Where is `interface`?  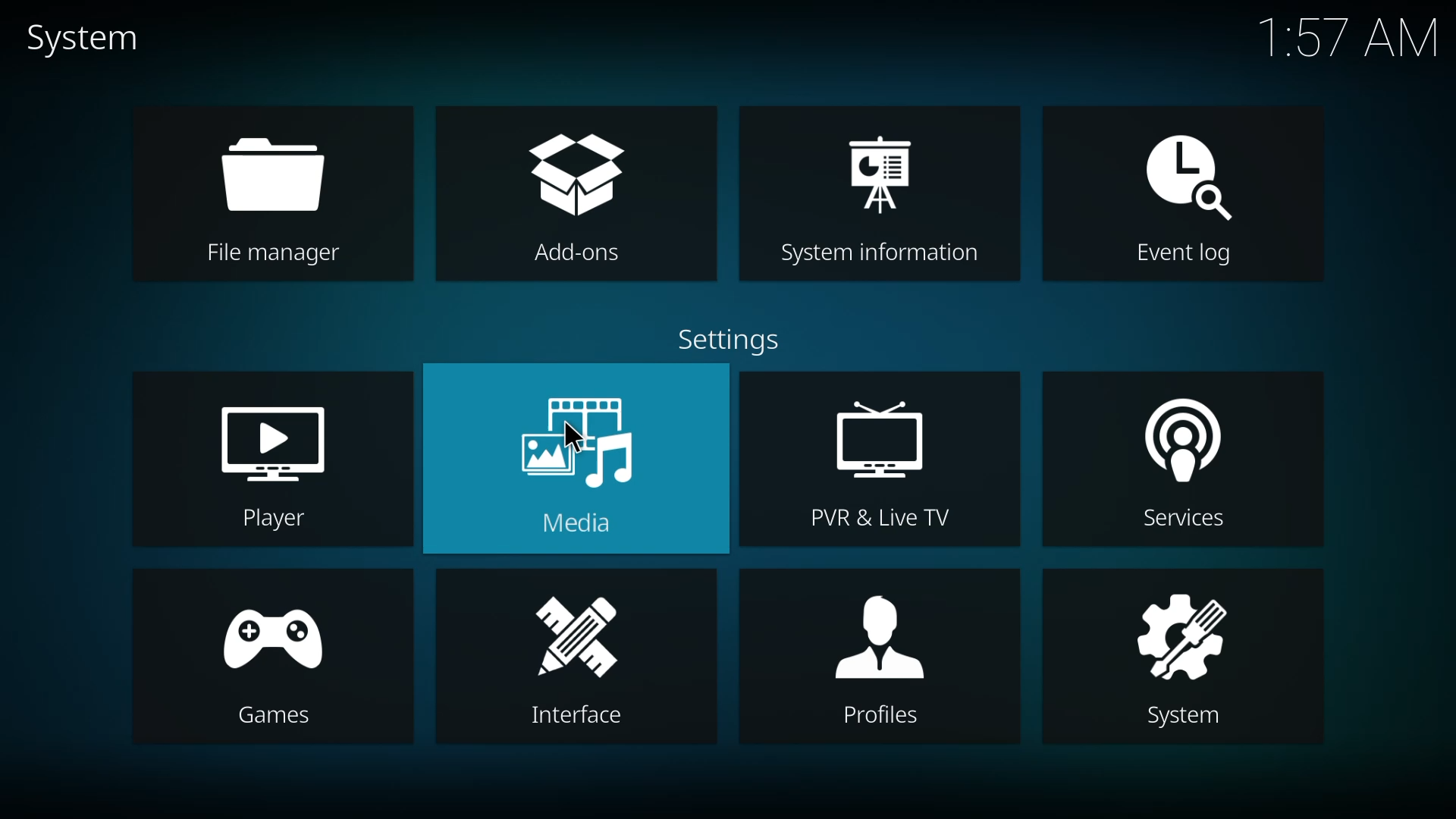 interface is located at coordinates (575, 656).